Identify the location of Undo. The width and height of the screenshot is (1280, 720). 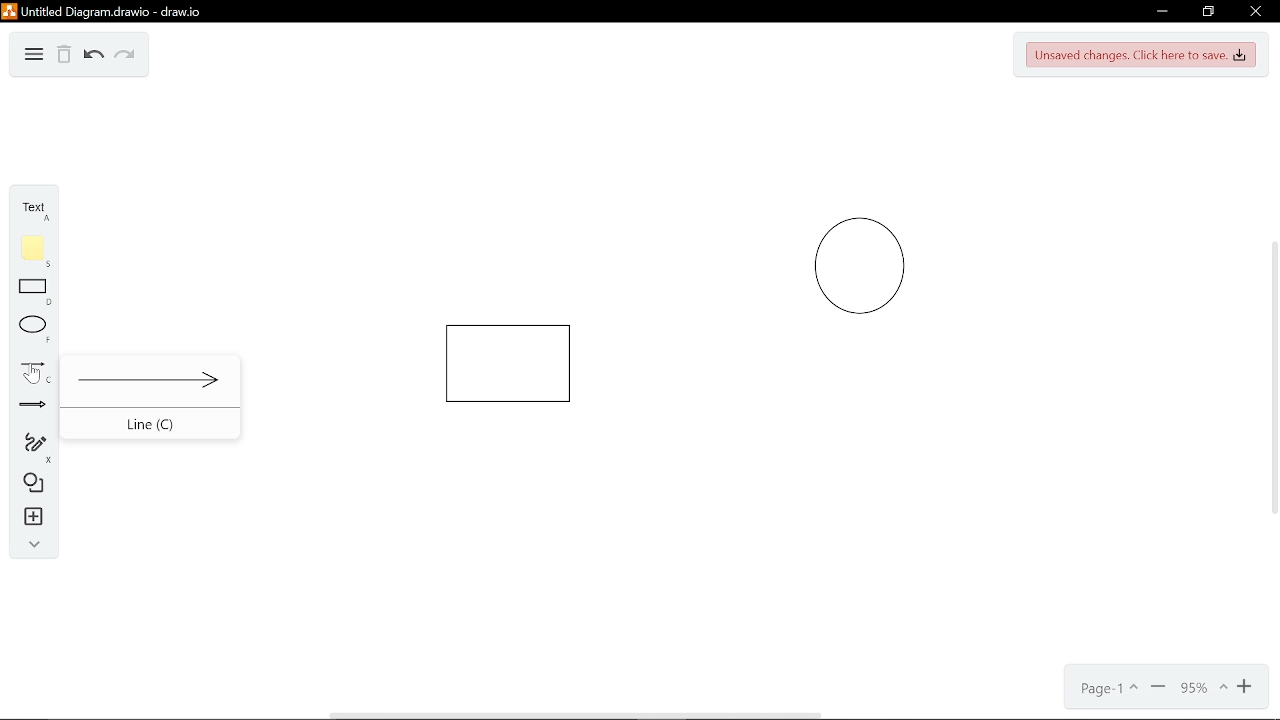
(92, 57).